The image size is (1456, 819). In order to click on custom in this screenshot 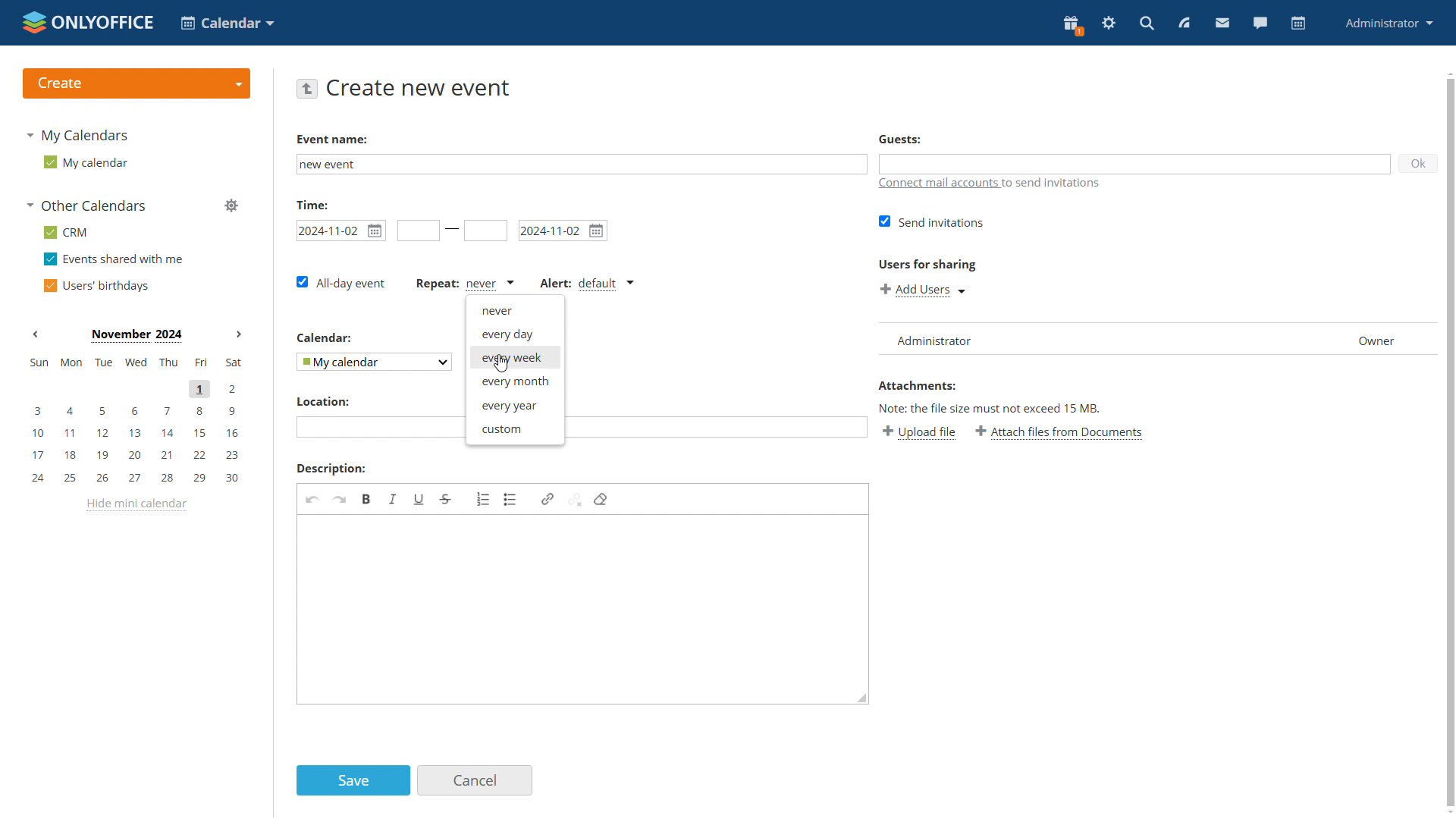, I will do `click(514, 428)`.